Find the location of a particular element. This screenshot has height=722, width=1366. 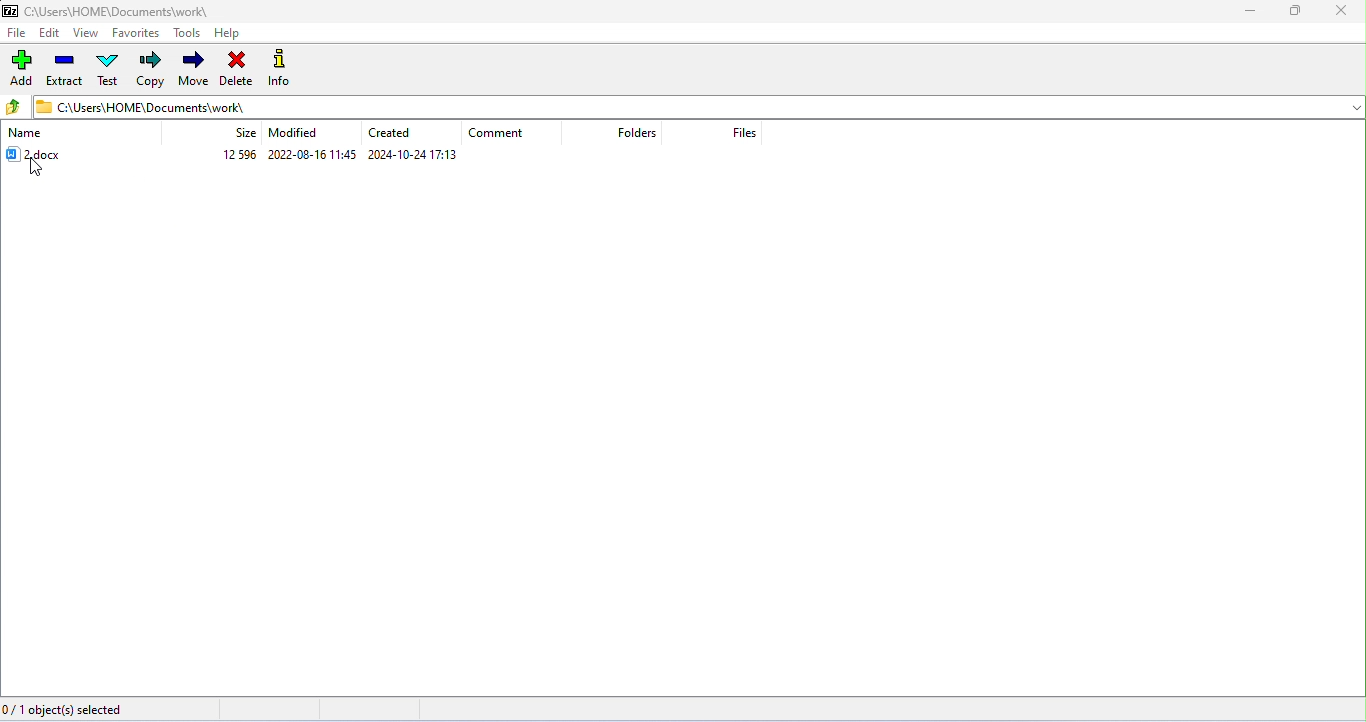

previous folder is located at coordinates (15, 107).